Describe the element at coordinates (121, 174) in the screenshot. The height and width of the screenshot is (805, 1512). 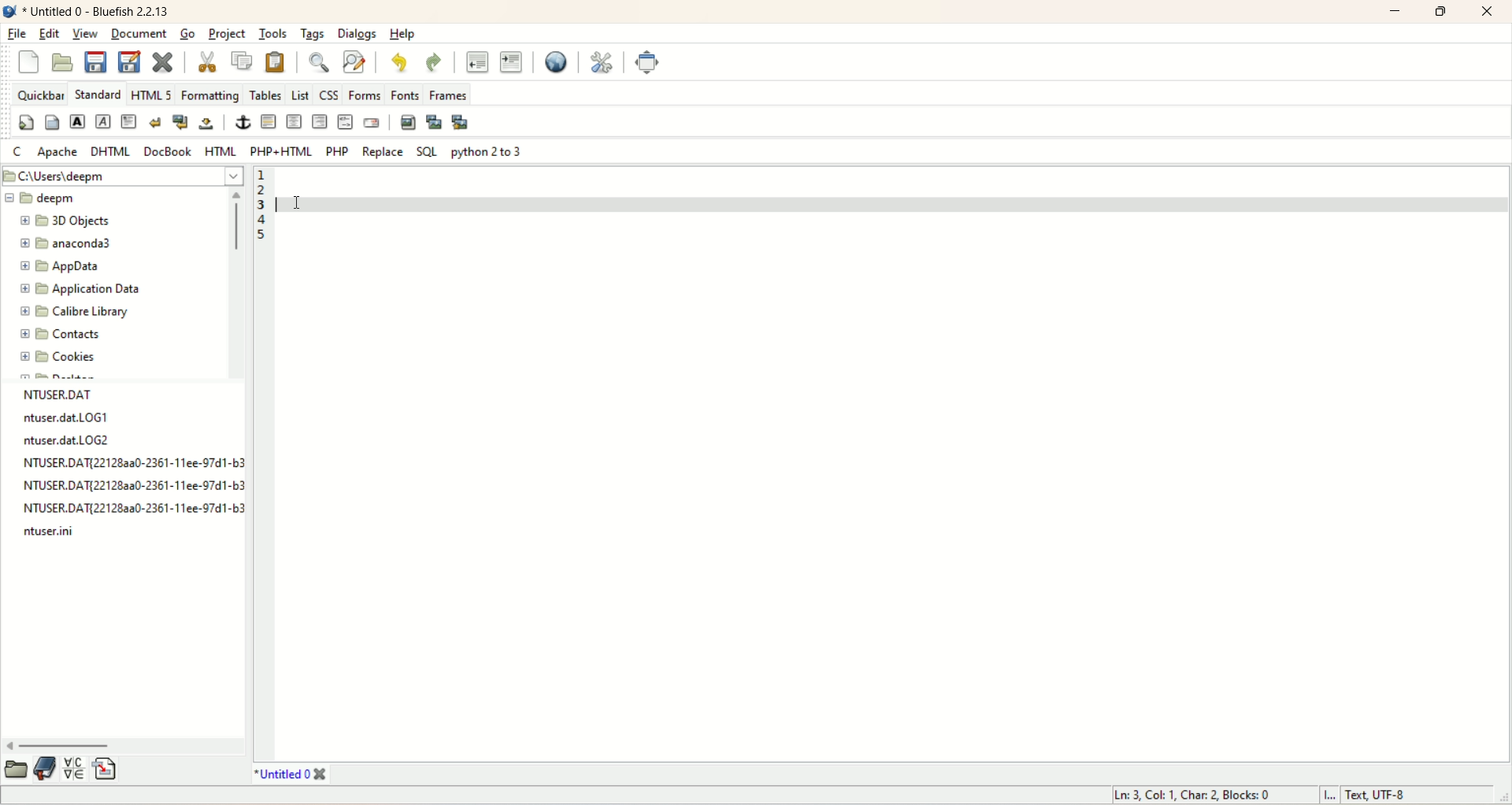
I see `location` at that location.